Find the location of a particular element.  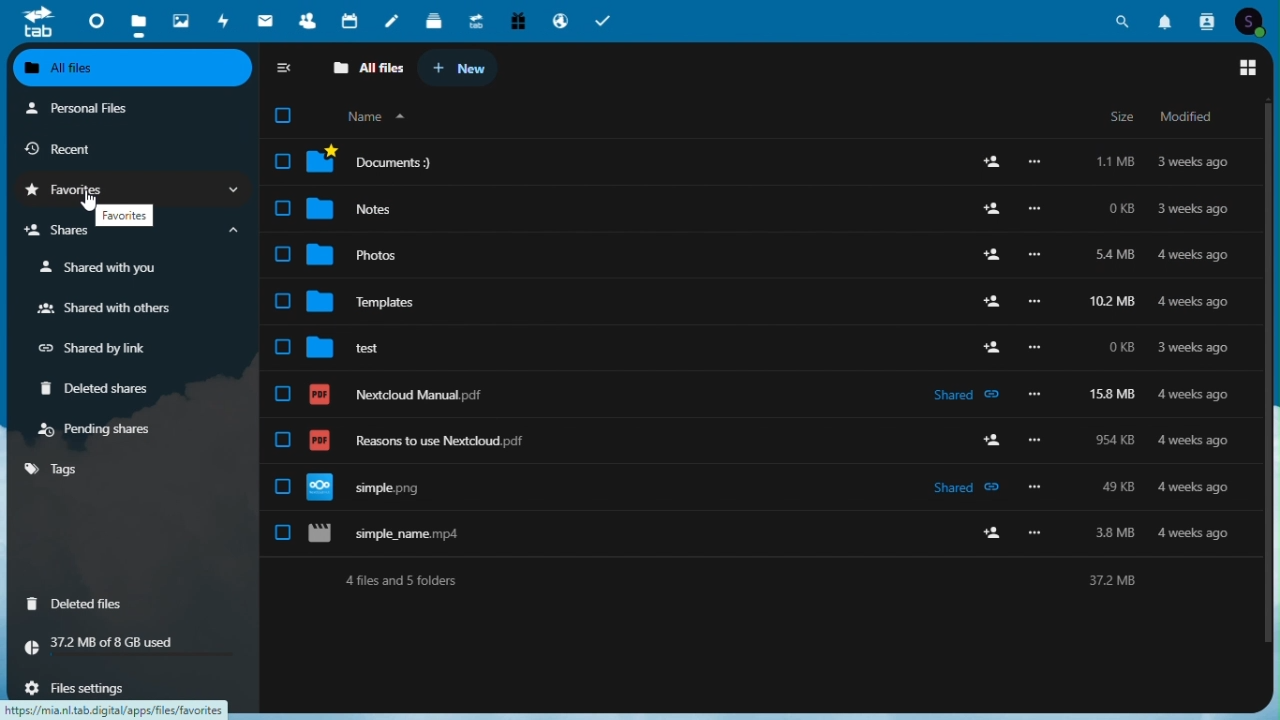

deleted files is located at coordinates (129, 604).